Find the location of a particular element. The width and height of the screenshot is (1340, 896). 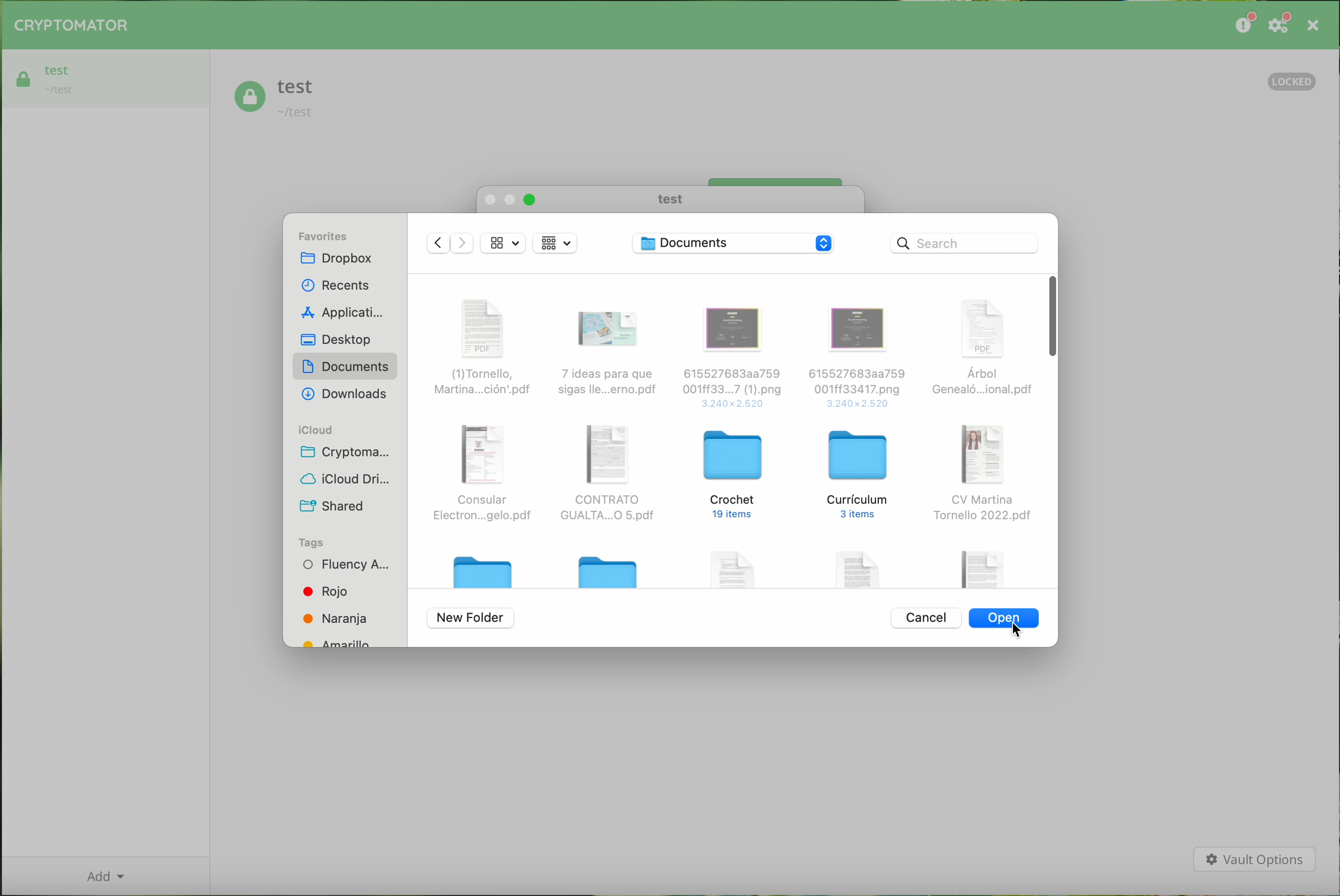

test vault is located at coordinates (107, 77).